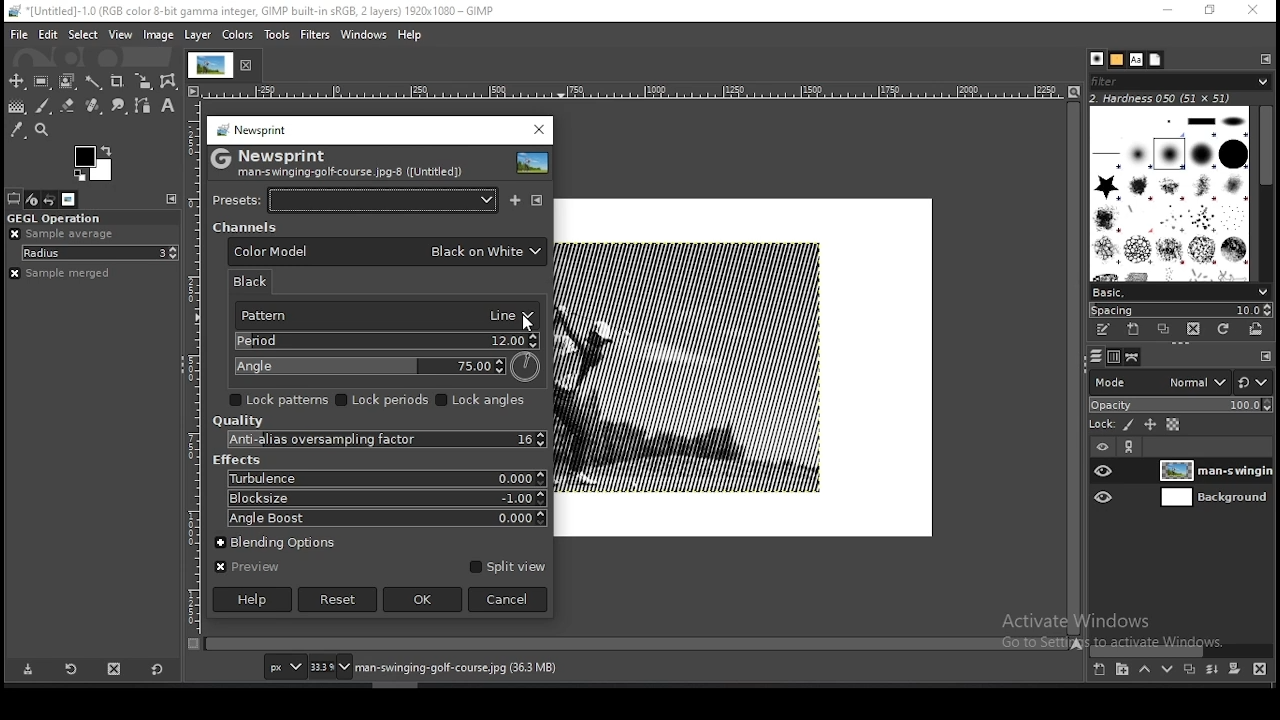 The height and width of the screenshot is (720, 1280). Describe the element at coordinates (17, 129) in the screenshot. I see `color picker tool` at that location.